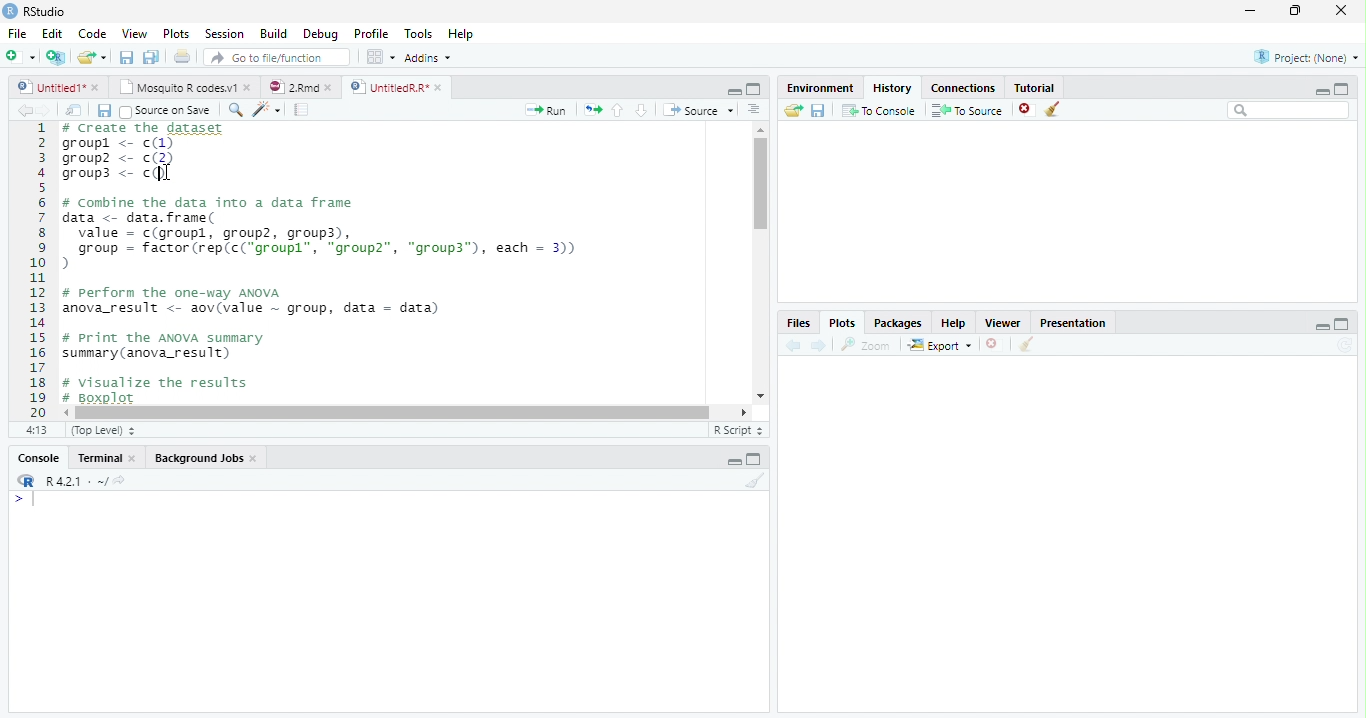 Image resolution: width=1366 pixels, height=718 pixels. What do you see at coordinates (1339, 12) in the screenshot?
I see `Close` at bounding box center [1339, 12].